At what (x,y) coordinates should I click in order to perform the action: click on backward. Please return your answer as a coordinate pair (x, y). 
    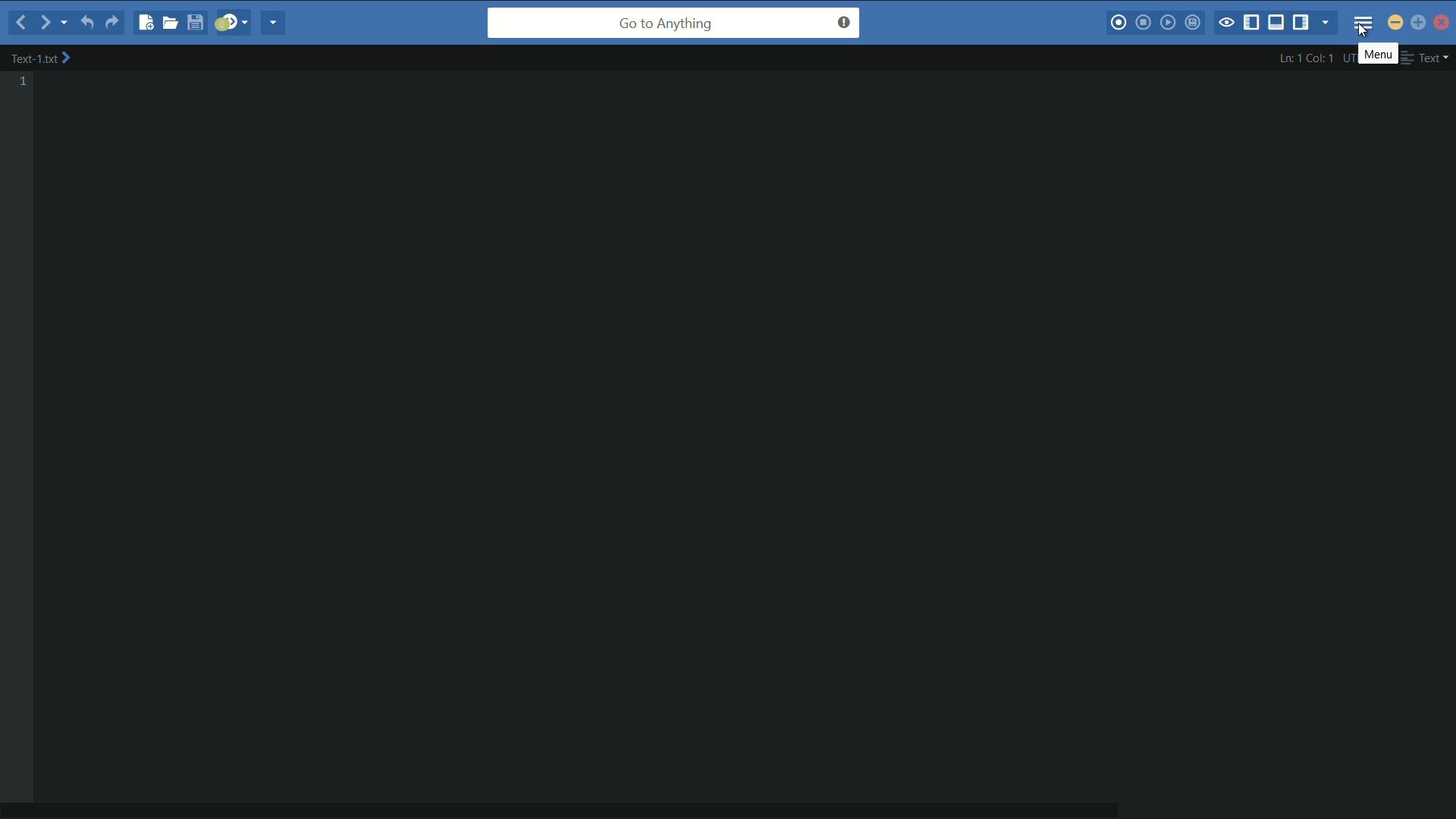
    Looking at the image, I should click on (17, 22).